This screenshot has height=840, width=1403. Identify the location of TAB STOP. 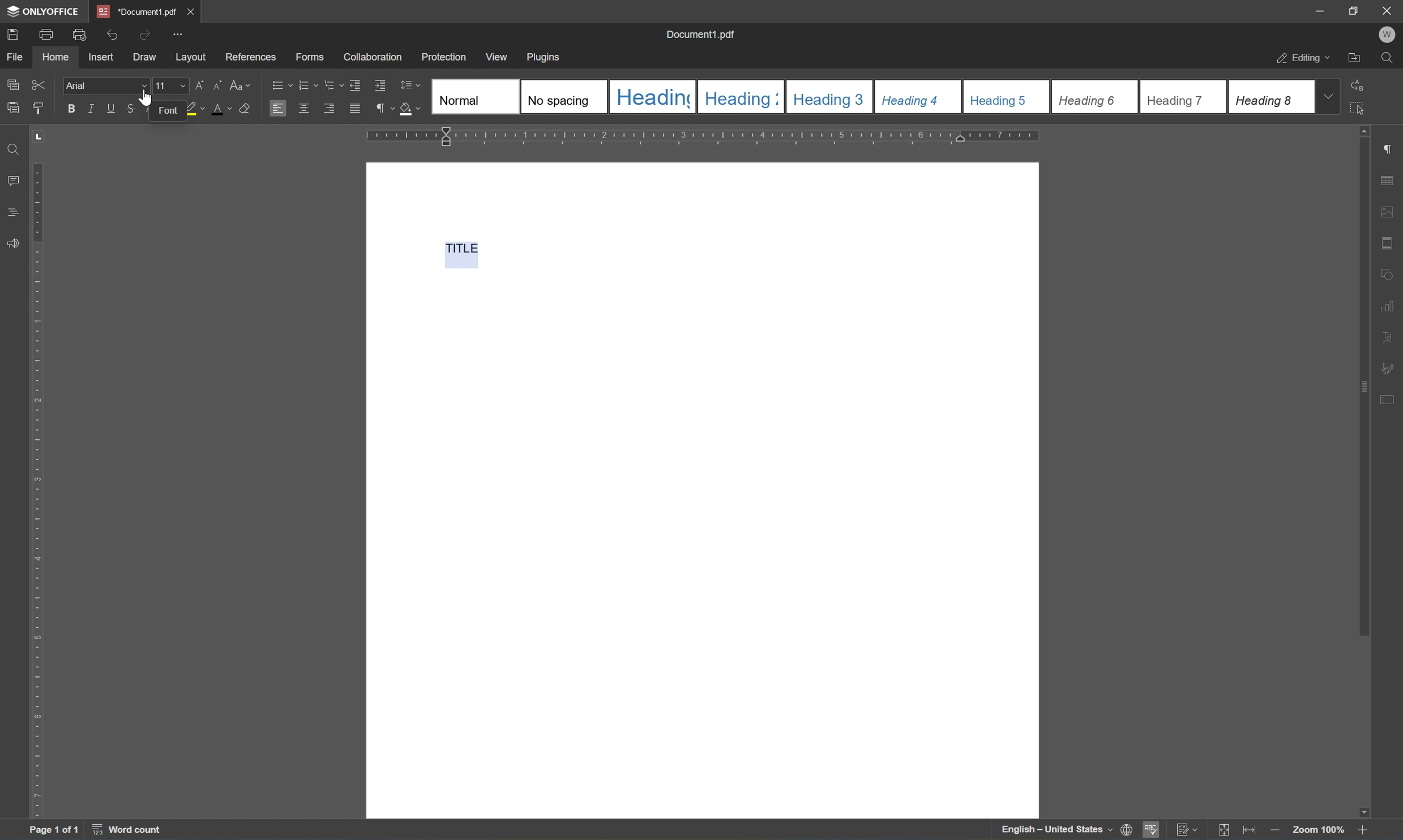
(40, 140).